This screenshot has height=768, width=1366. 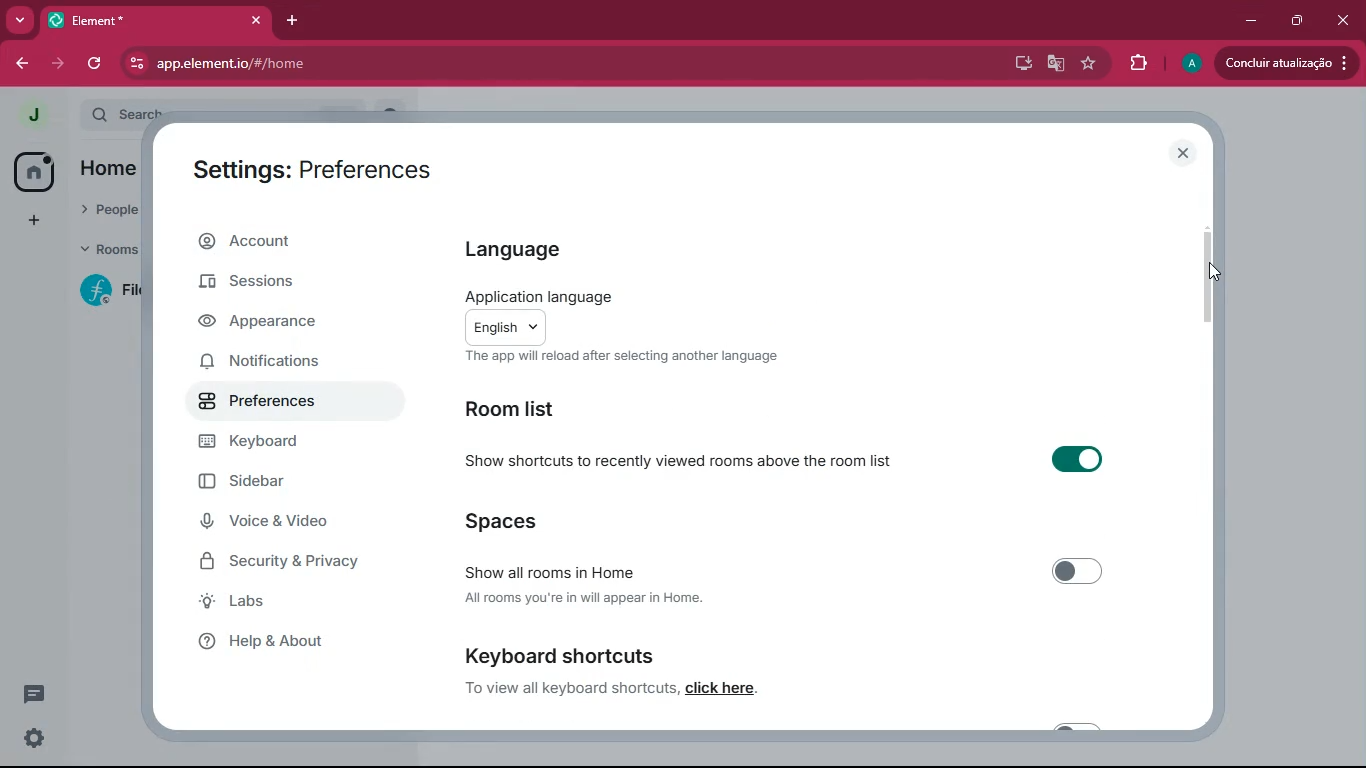 What do you see at coordinates (1075, 568) in the screenshot?
I see `toggle off` at bounding box center [1075, 568].